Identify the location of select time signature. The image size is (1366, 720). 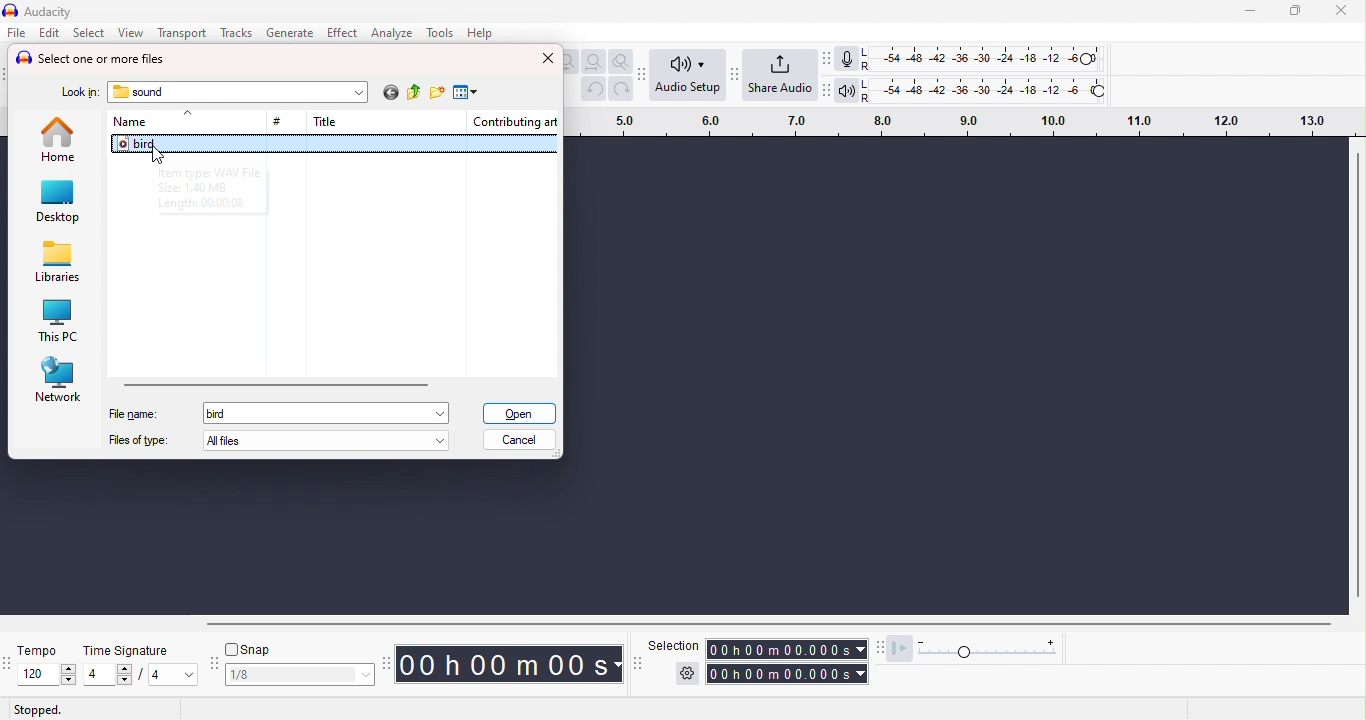
(141, 675).